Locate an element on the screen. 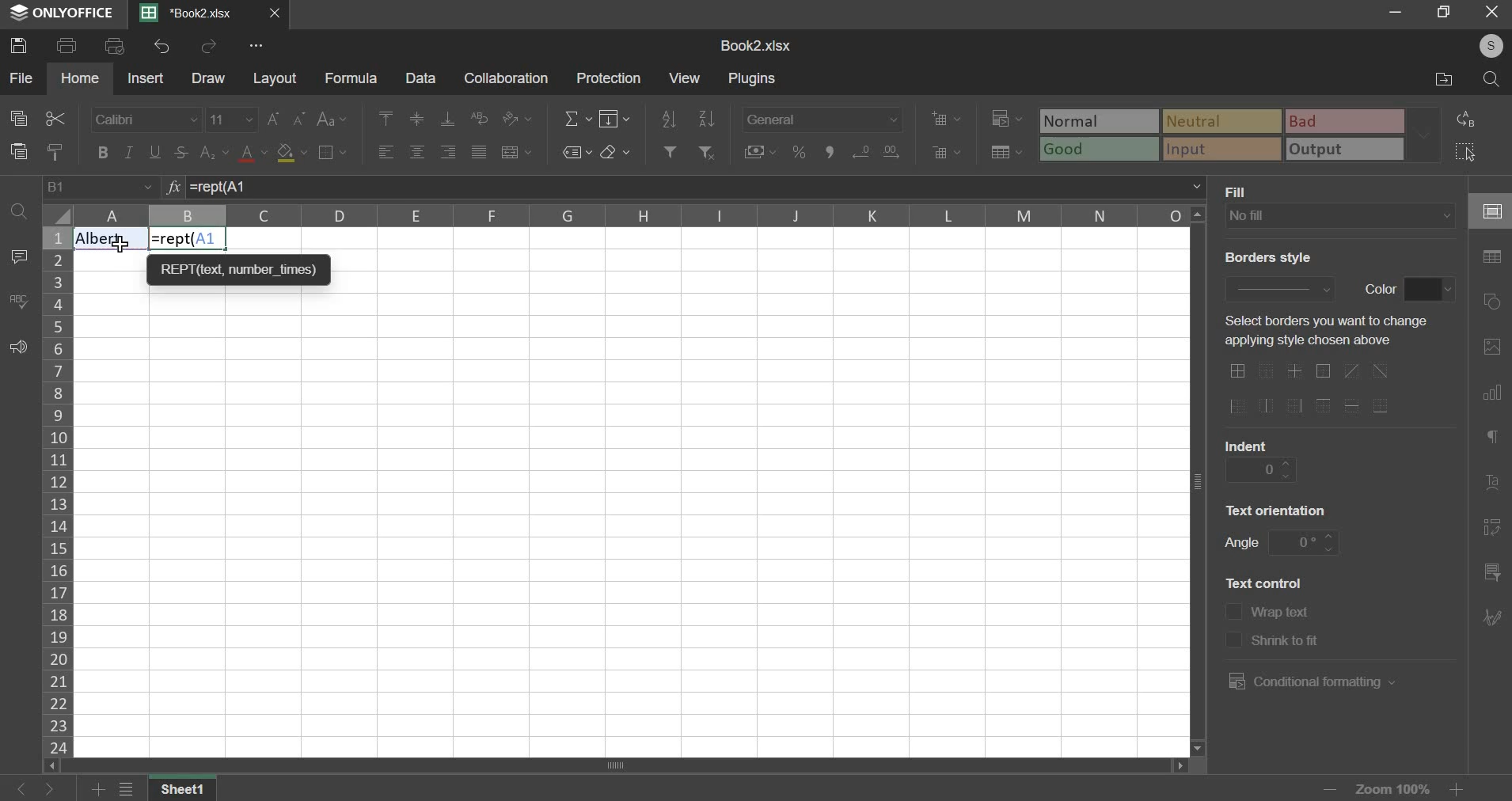 This screenshot has height=801, width=1512. text is located at coordinates (1285, 613).